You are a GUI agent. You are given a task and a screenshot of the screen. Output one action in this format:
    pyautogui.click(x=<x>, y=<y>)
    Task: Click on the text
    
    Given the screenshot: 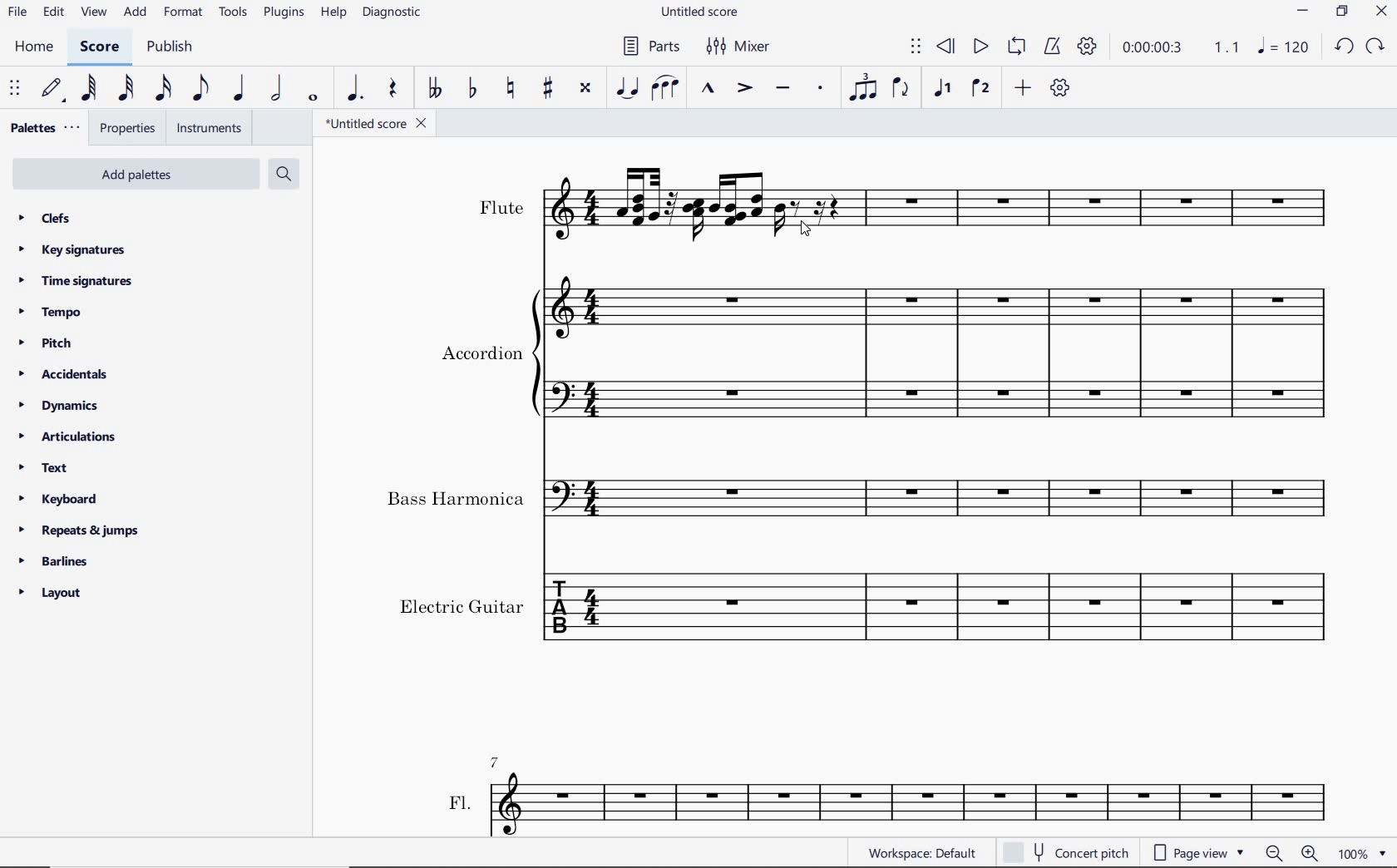 What is the action you would take?
    pyautogui.click(x=501, y=207)
    